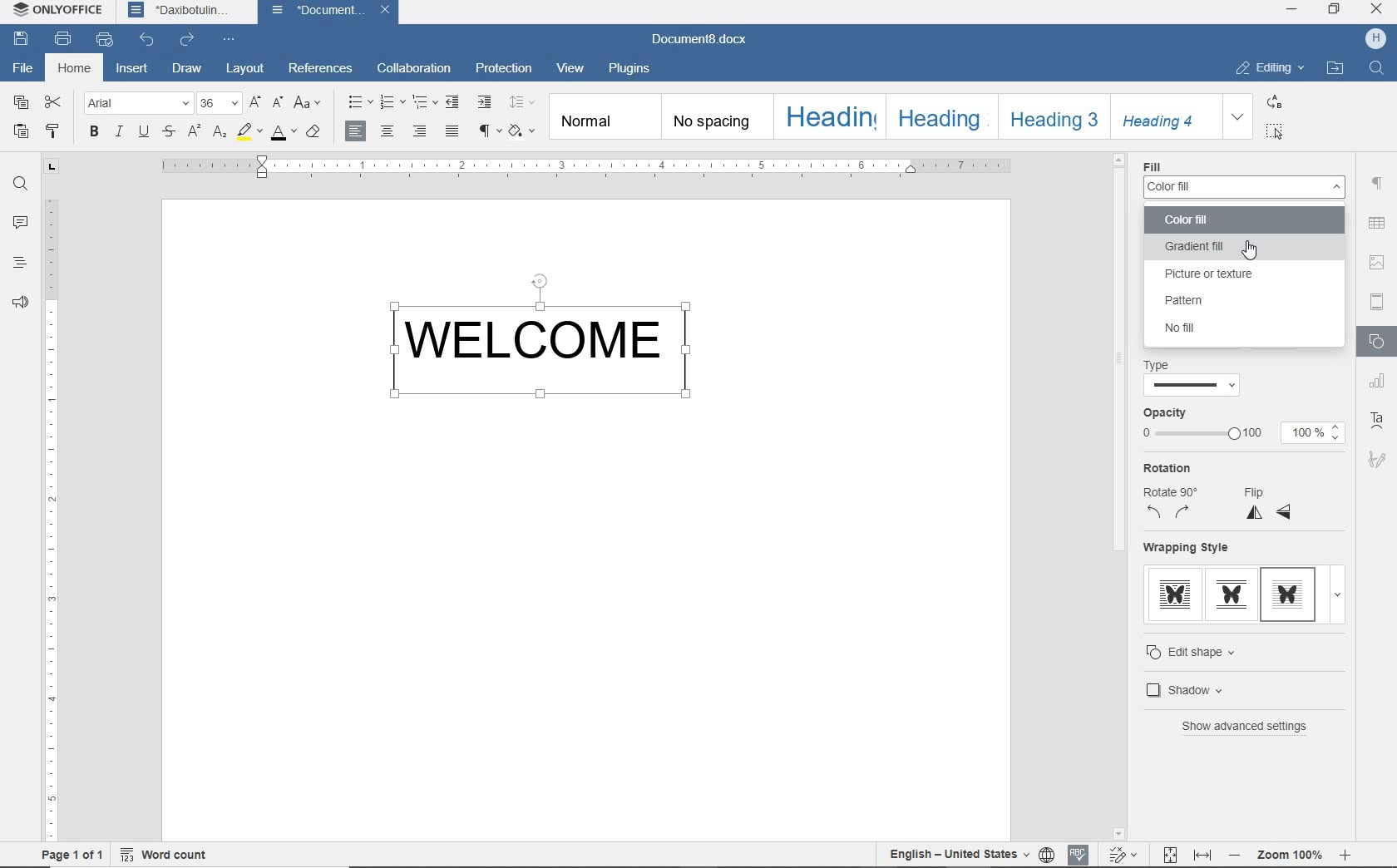  Describe the element at coordinates (357, 131) in the screenshot. I see `ALIGN LEFT` at that location.